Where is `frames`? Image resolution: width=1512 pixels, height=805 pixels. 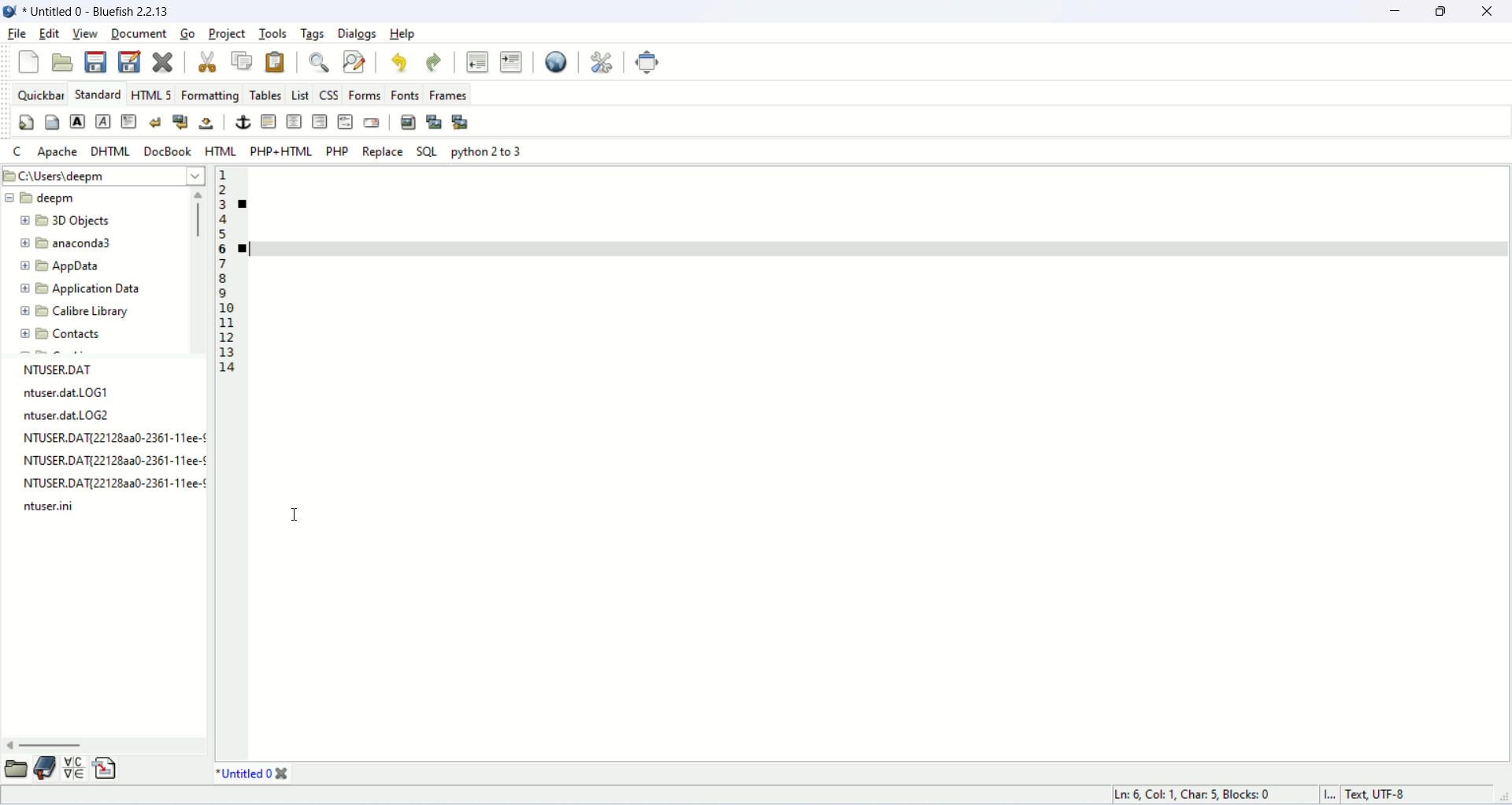
frames is located at coordinates (445, 94).